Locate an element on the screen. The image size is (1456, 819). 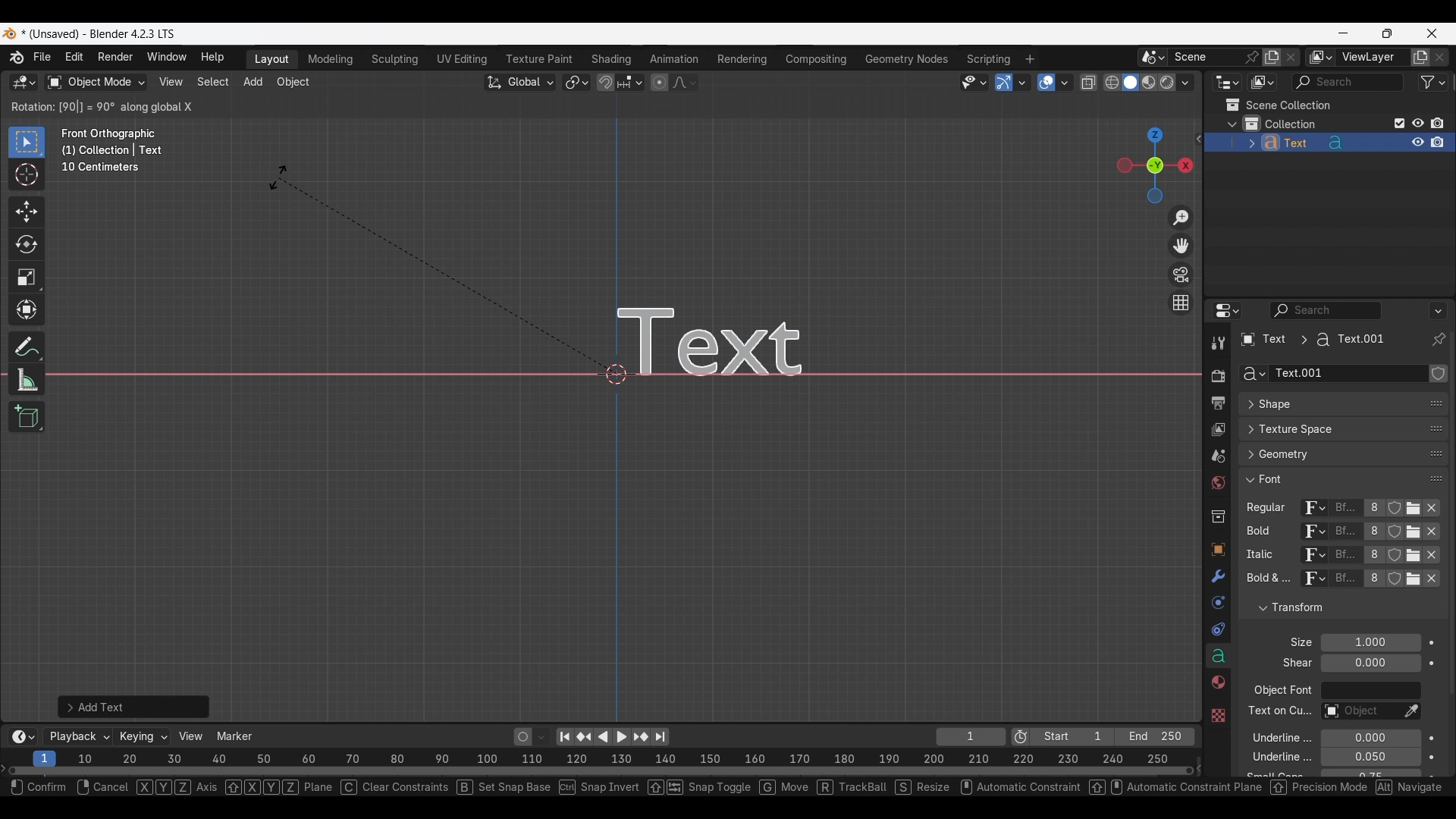
Show interface in a smaller tab is located at coordinates (1387, 33).